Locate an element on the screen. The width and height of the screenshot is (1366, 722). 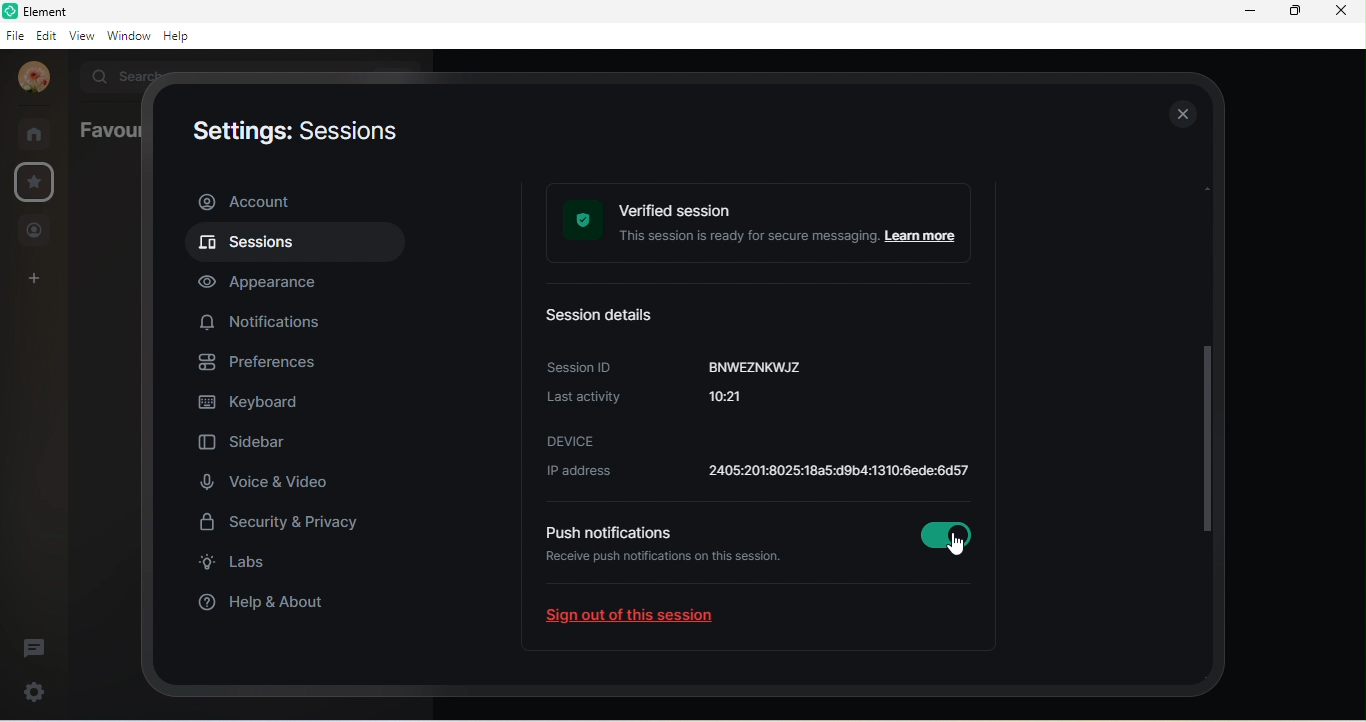
labs is located at coordinates (241, 565).